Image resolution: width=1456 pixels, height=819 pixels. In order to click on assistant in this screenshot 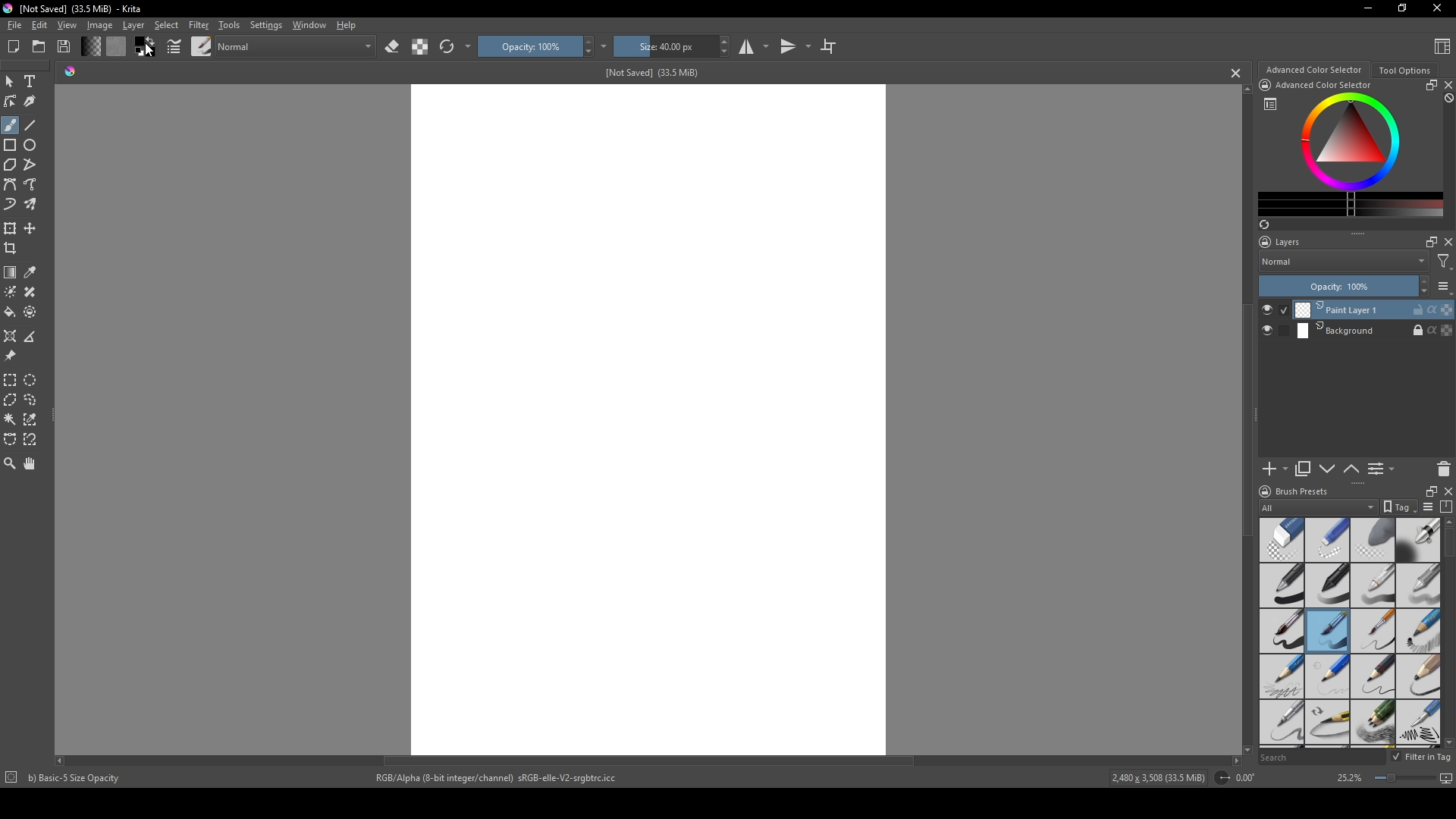, I will do `click(11, 335)`.